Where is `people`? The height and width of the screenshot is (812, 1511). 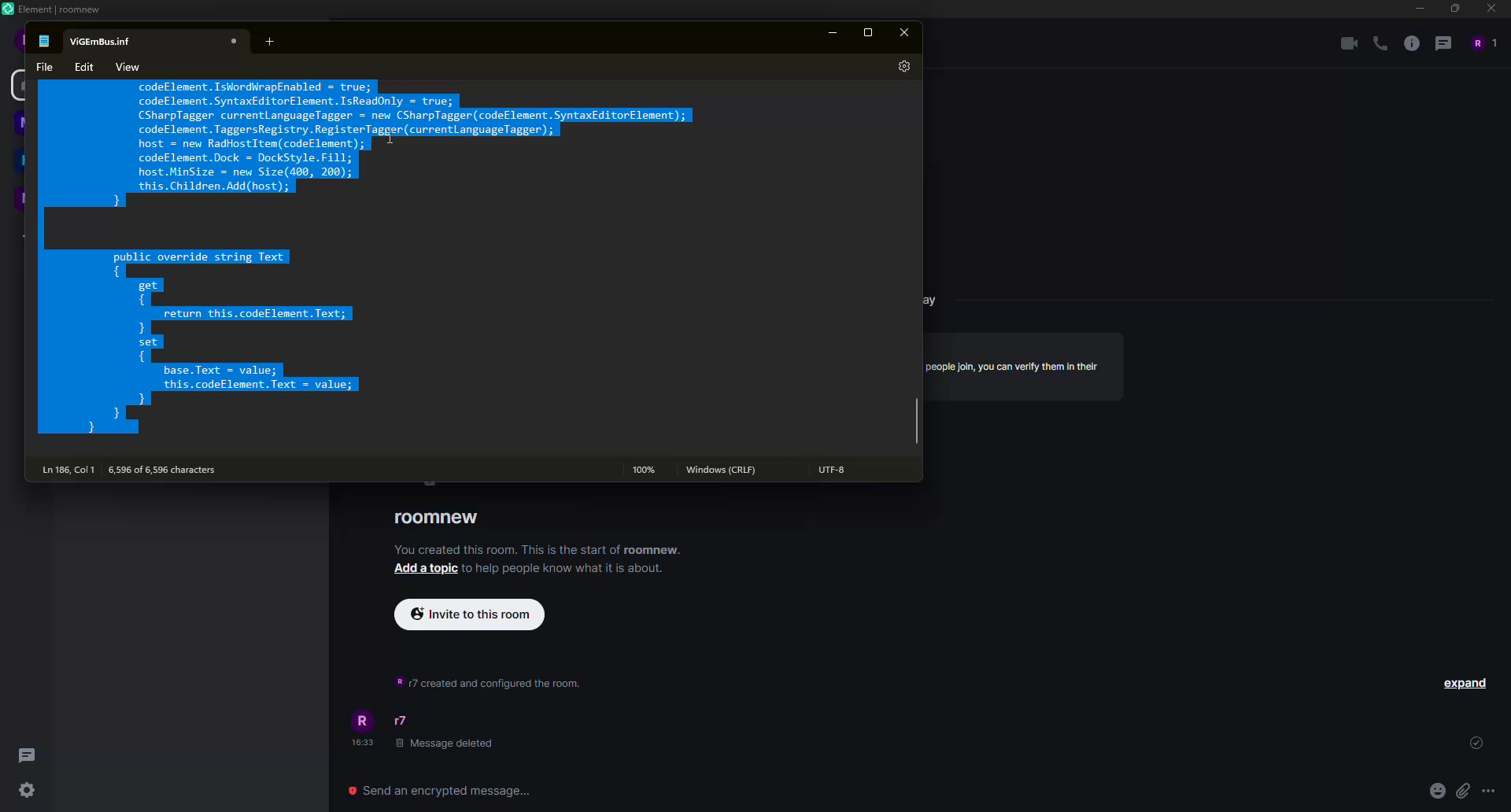
people is located at coordinates (1483, 42).